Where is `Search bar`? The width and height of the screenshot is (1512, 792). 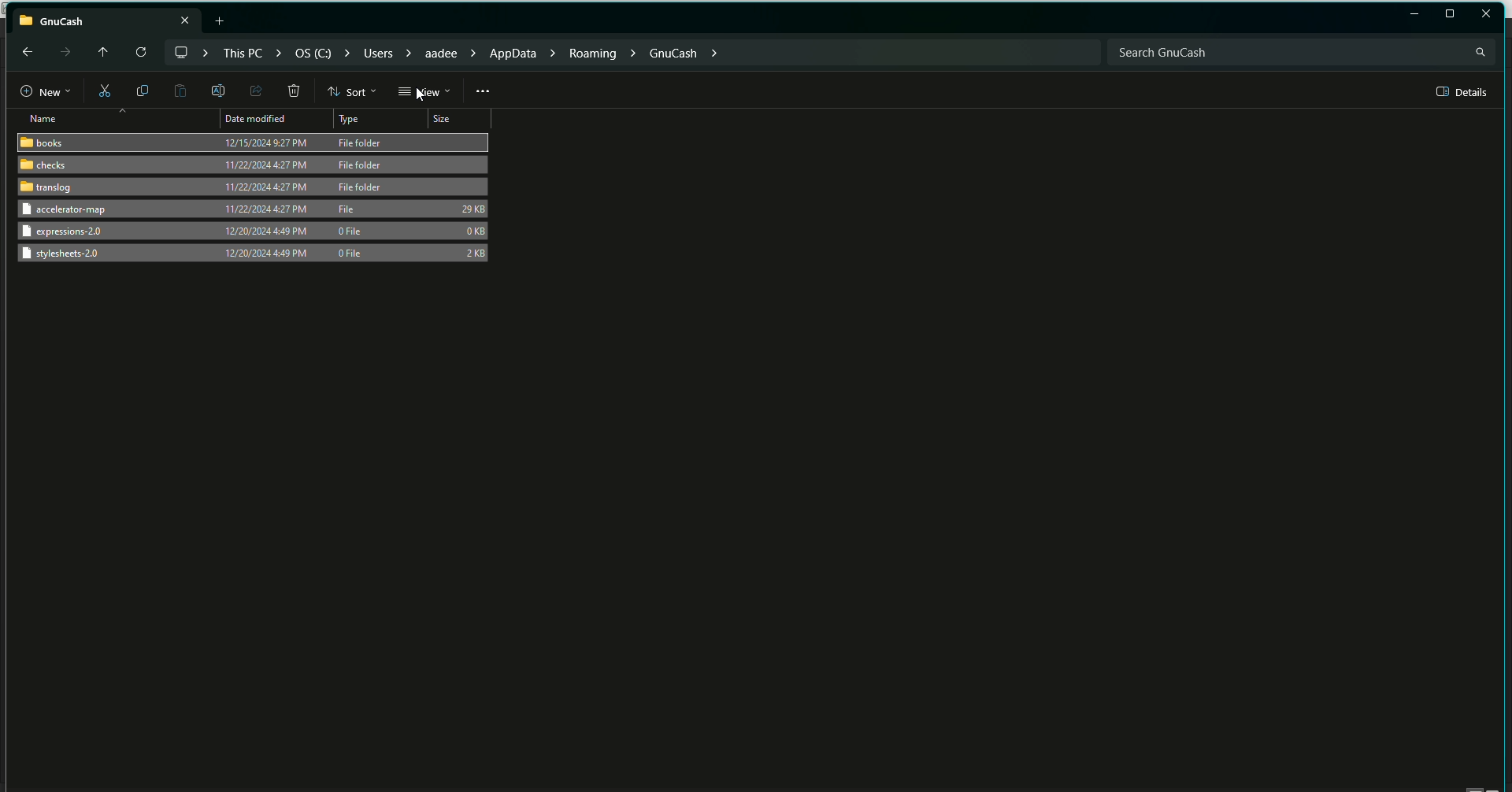 Search bar is located at coordinates (1300, 51).